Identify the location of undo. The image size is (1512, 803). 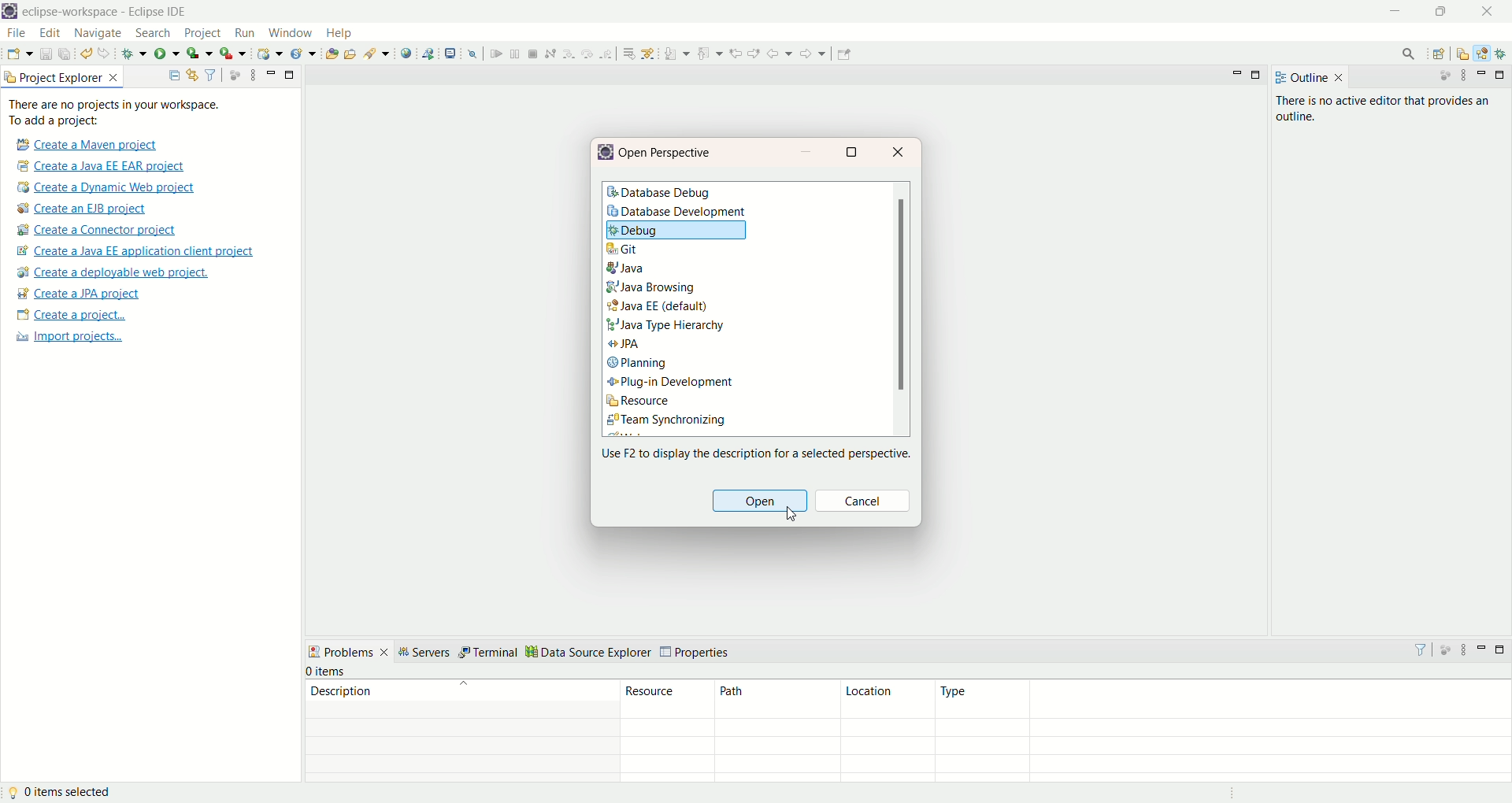
(86, 54).